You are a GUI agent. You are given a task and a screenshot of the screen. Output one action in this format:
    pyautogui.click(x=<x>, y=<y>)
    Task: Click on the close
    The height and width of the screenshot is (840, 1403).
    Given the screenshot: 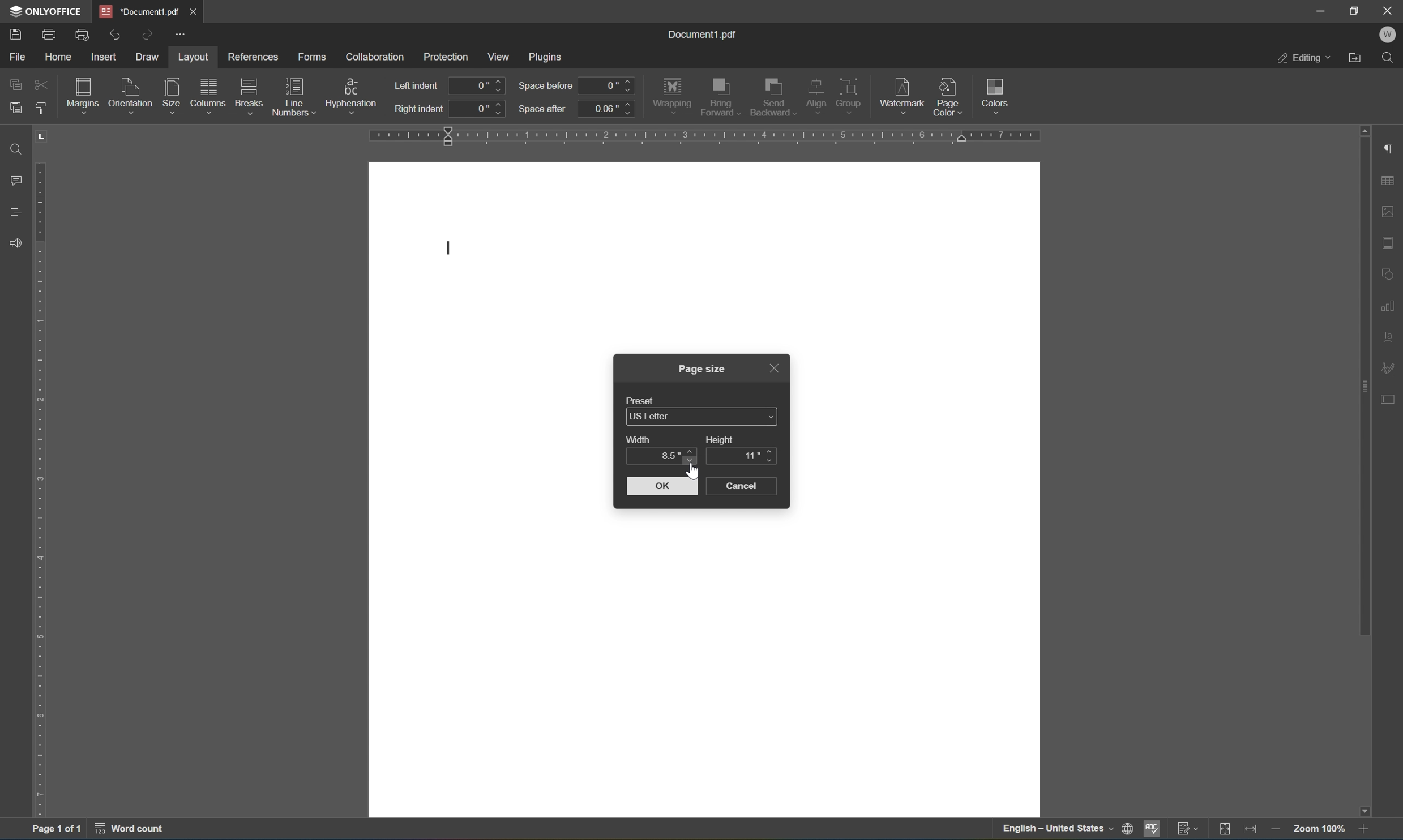 What is the action you would take?
    pyautogui.click(x=198, y=10)
    